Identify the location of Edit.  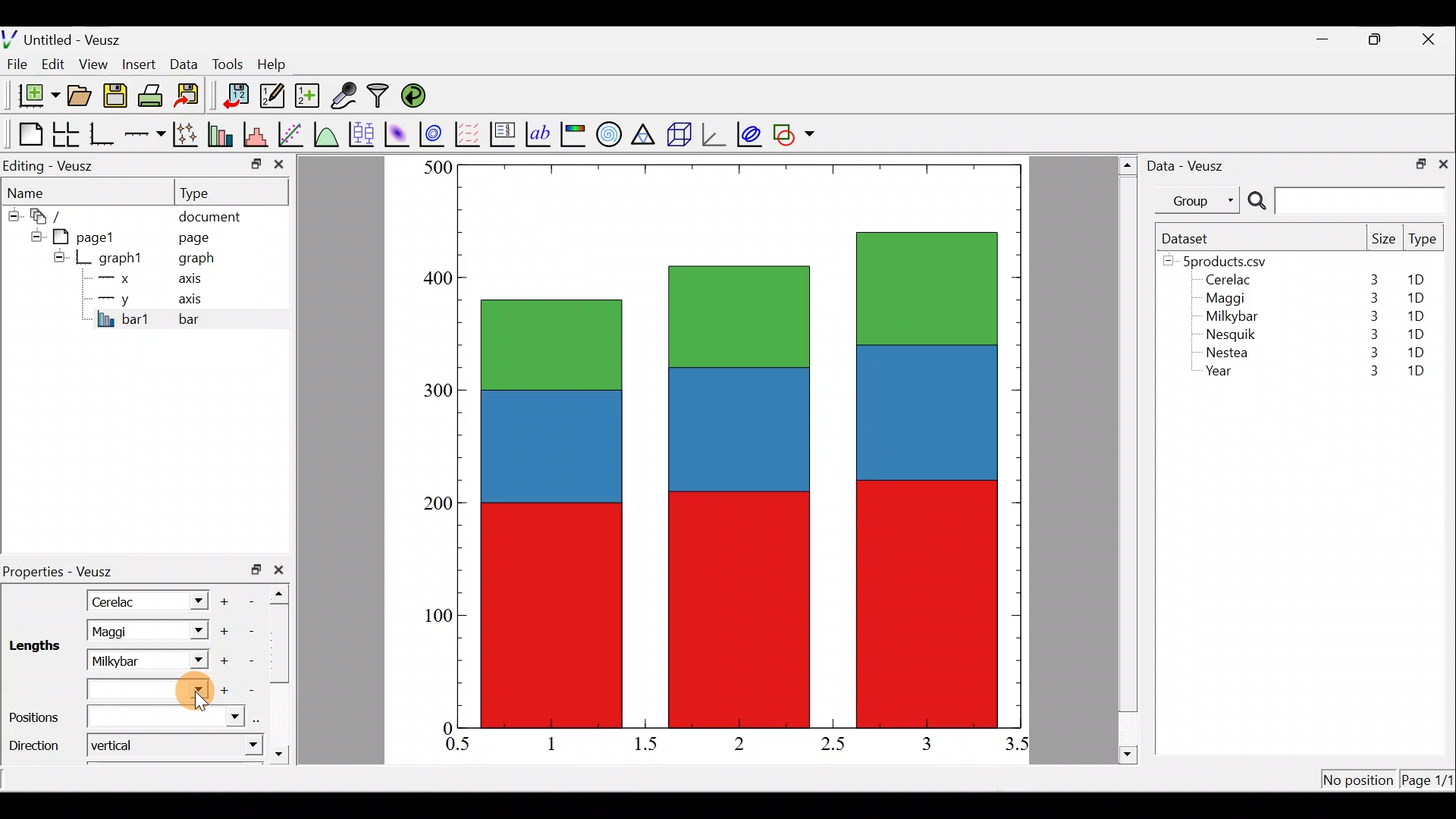
(53, 63).